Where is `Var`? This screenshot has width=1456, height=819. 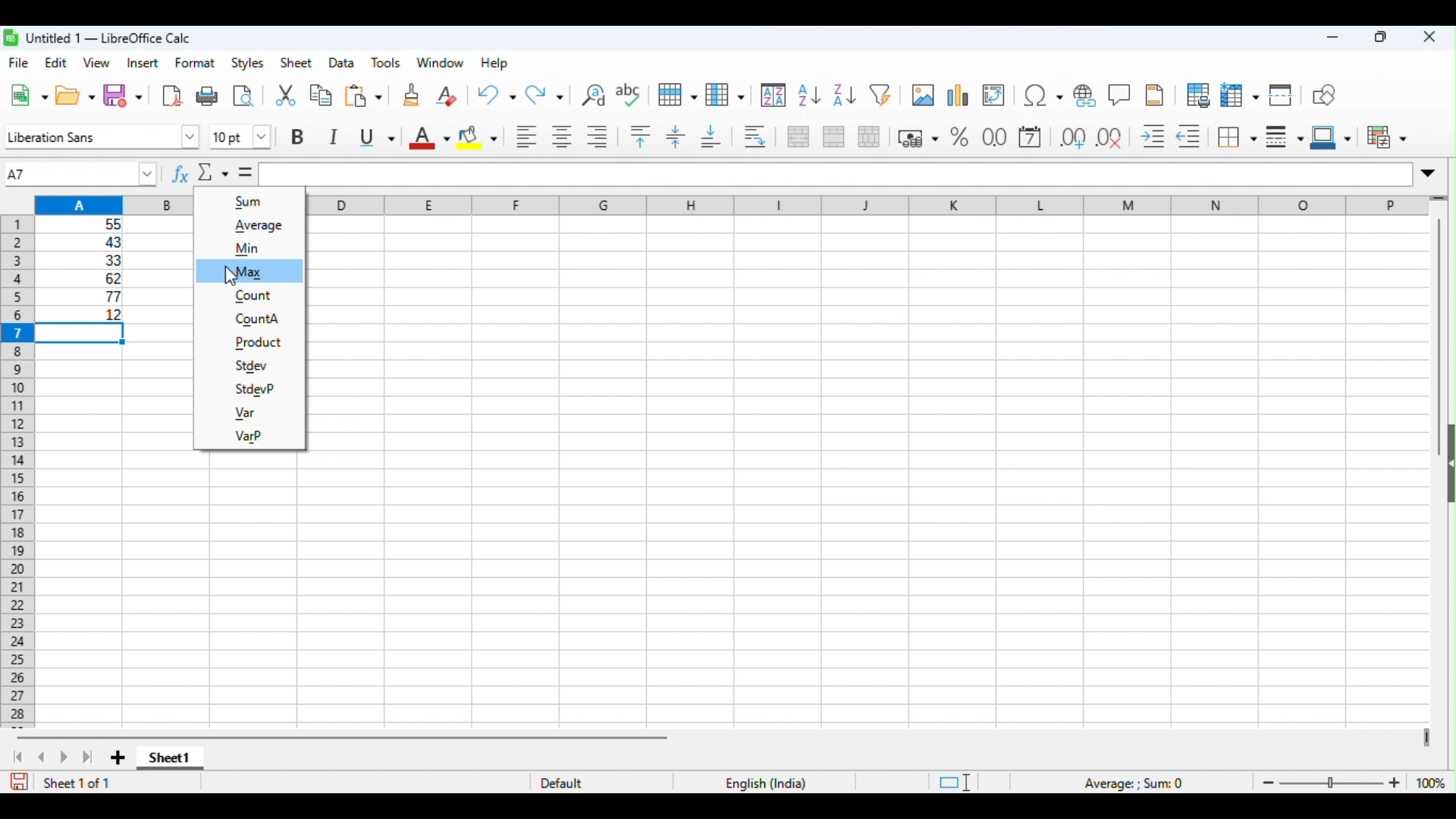
Var is located at coordinates (246, 413).